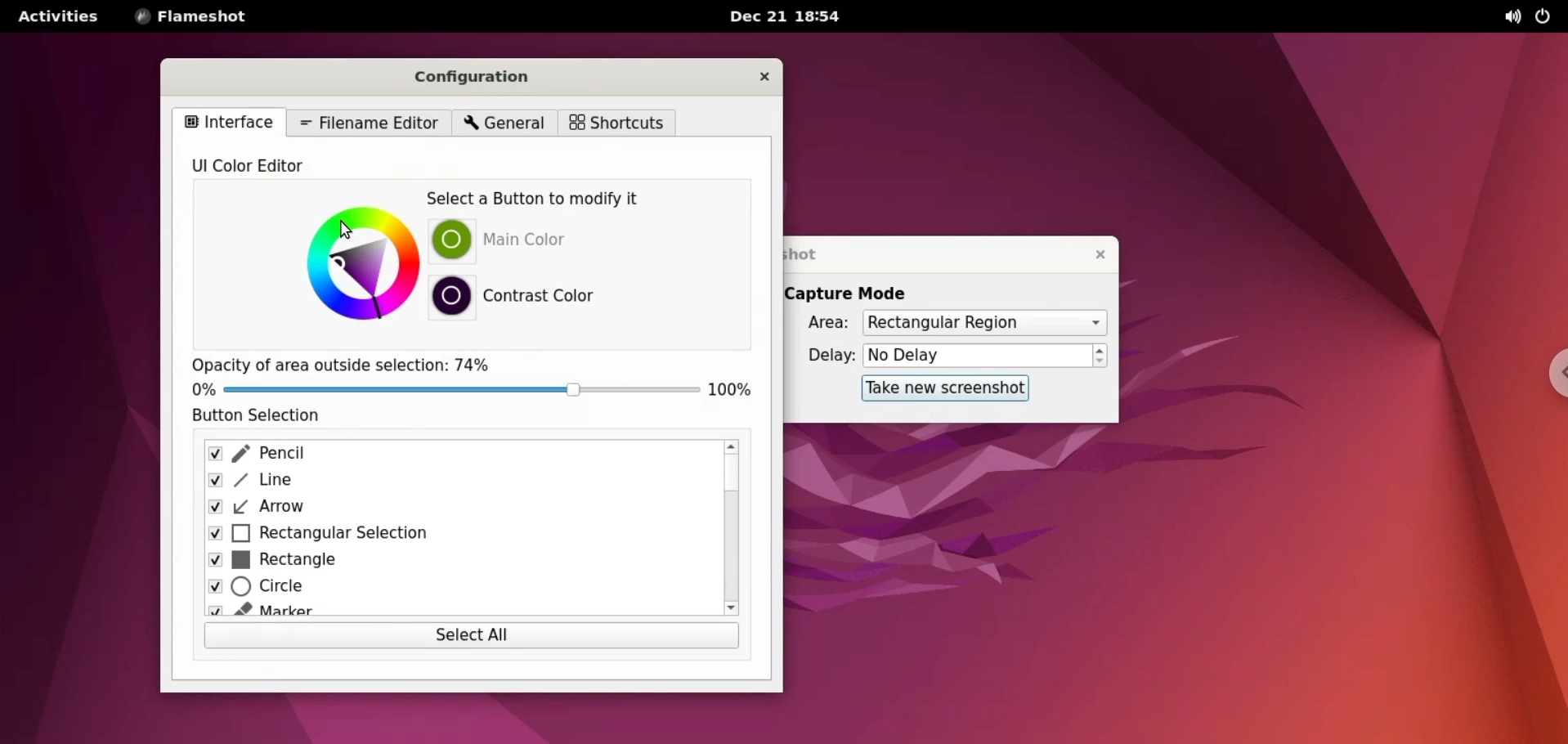 This screenshot has width=1568, height=744. I want to click on select a button to modify it, so click(543, 199).